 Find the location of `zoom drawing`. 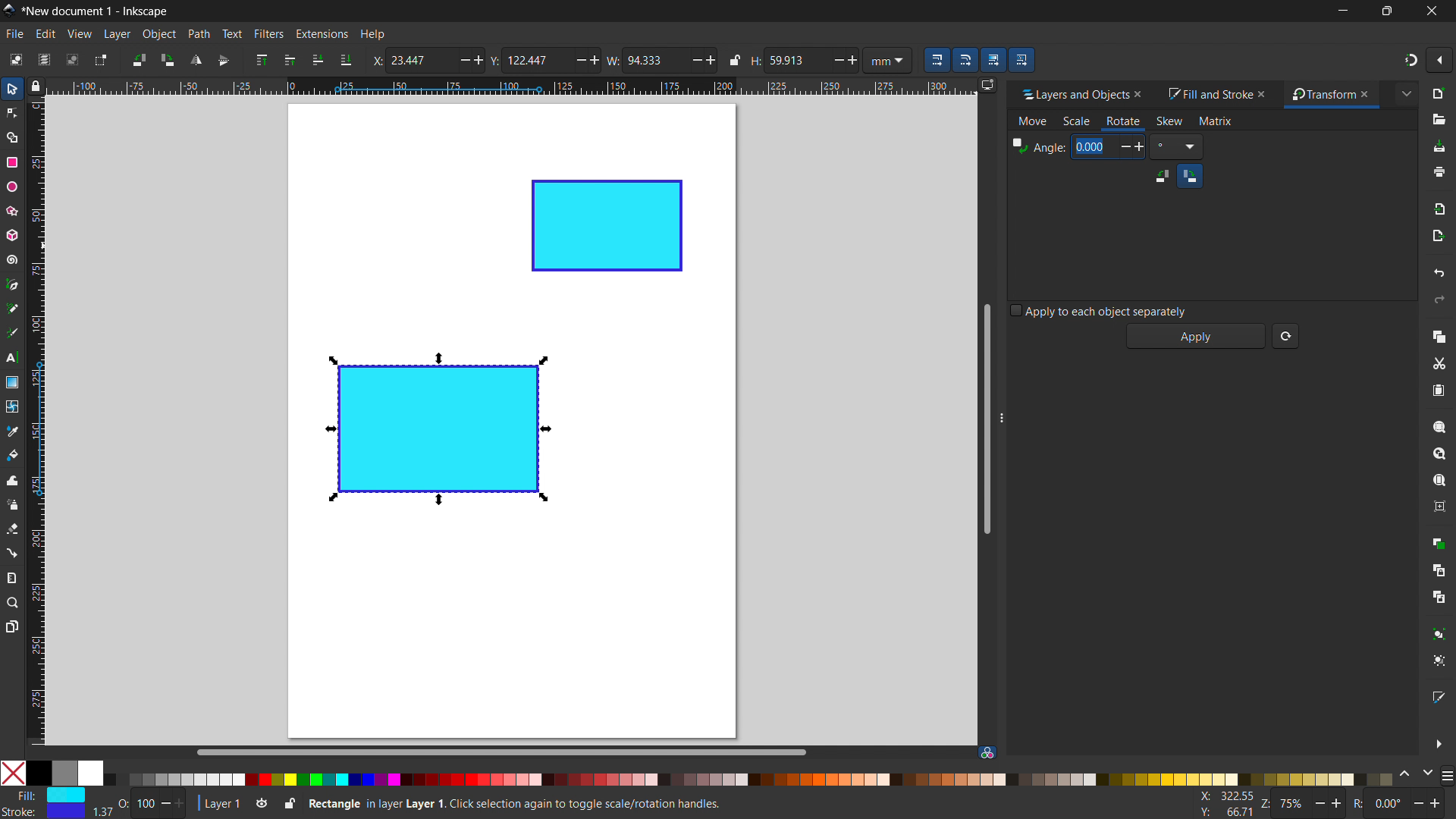

zoom drawing is located at coordinates (1439, 453).